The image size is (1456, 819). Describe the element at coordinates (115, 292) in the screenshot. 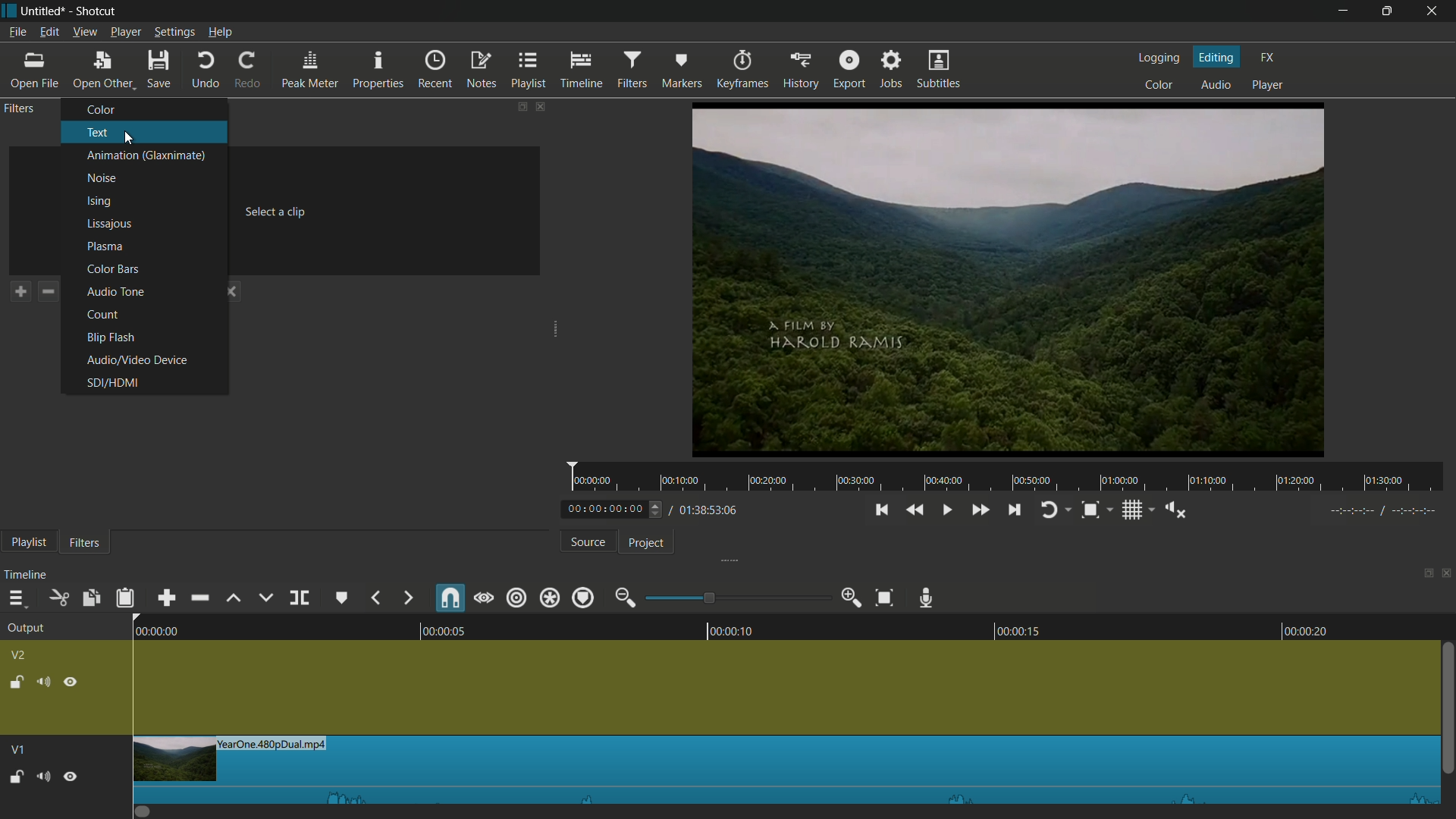

I see `audio tone` at that location.